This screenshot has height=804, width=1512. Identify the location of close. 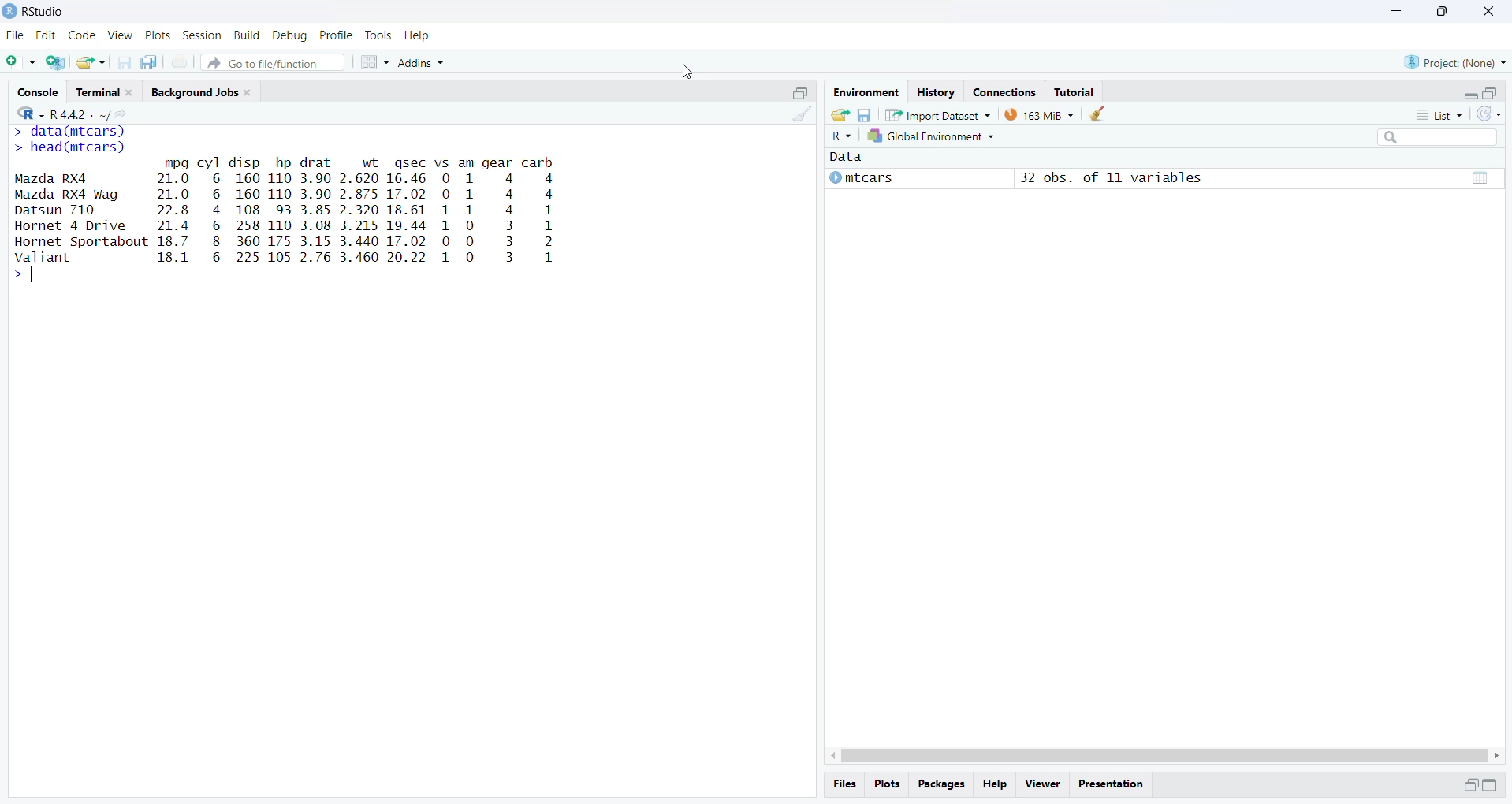
(248, 92).